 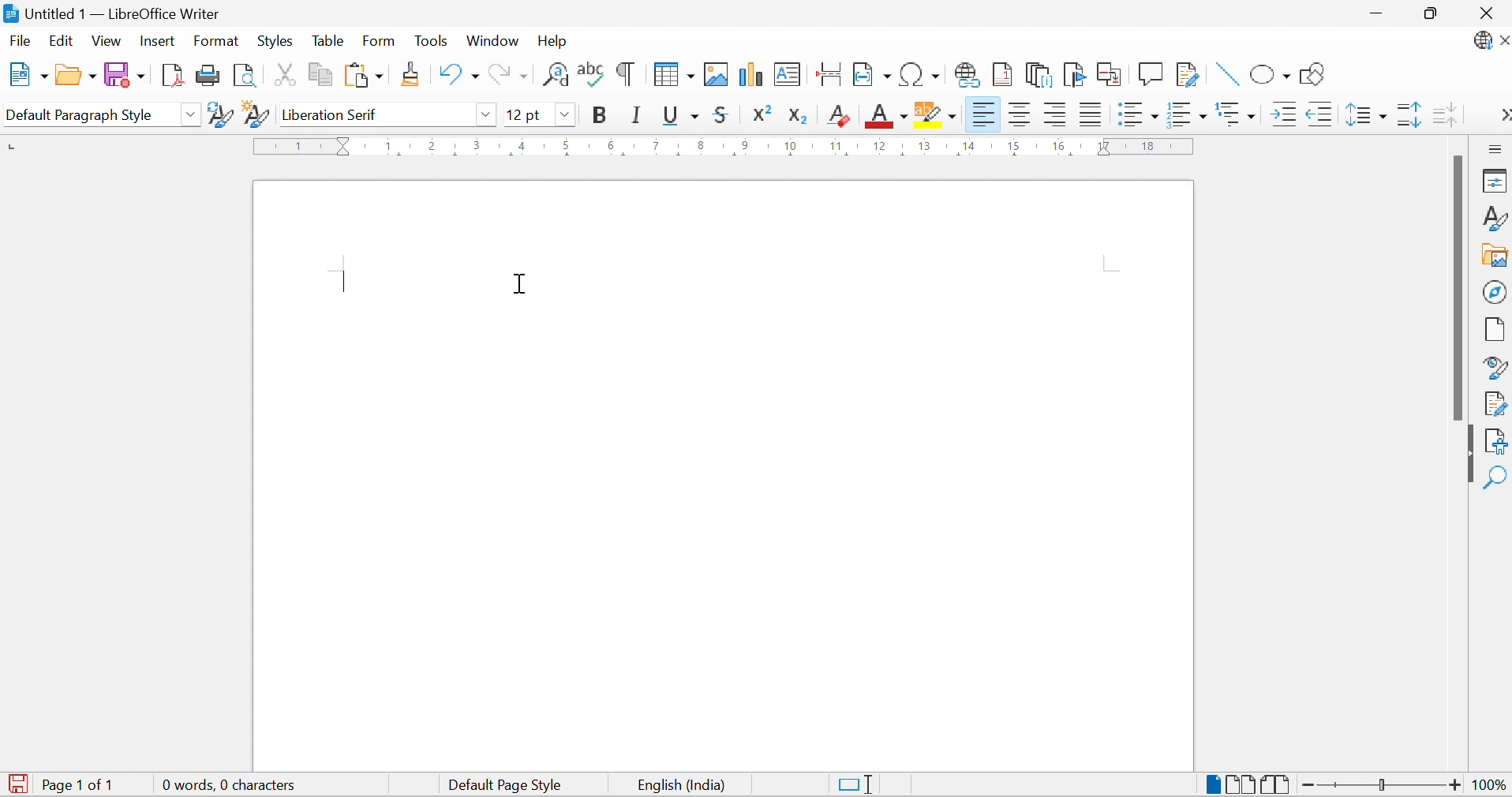 What do you see at coordinates (523, 145) in the screenshot?
I see `4` at bounding box center [523, 145].